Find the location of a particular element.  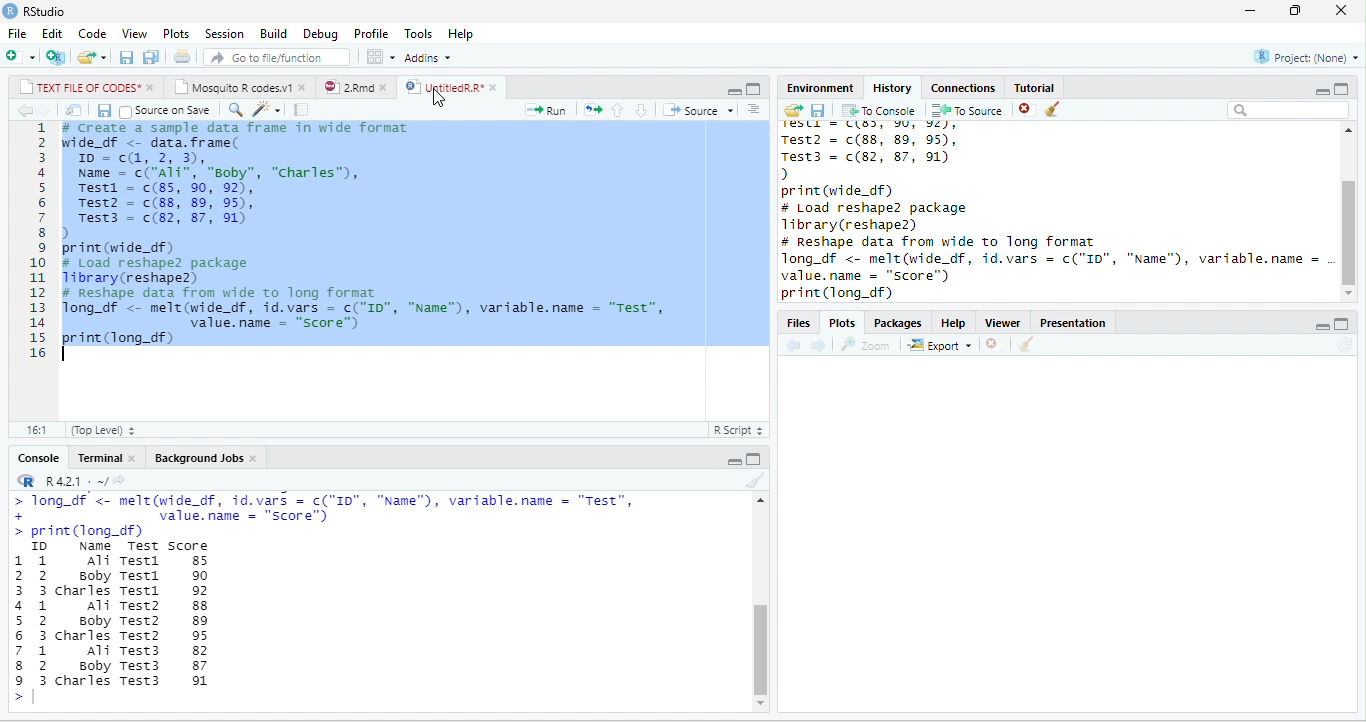

save is located at coordinates (128, 57).